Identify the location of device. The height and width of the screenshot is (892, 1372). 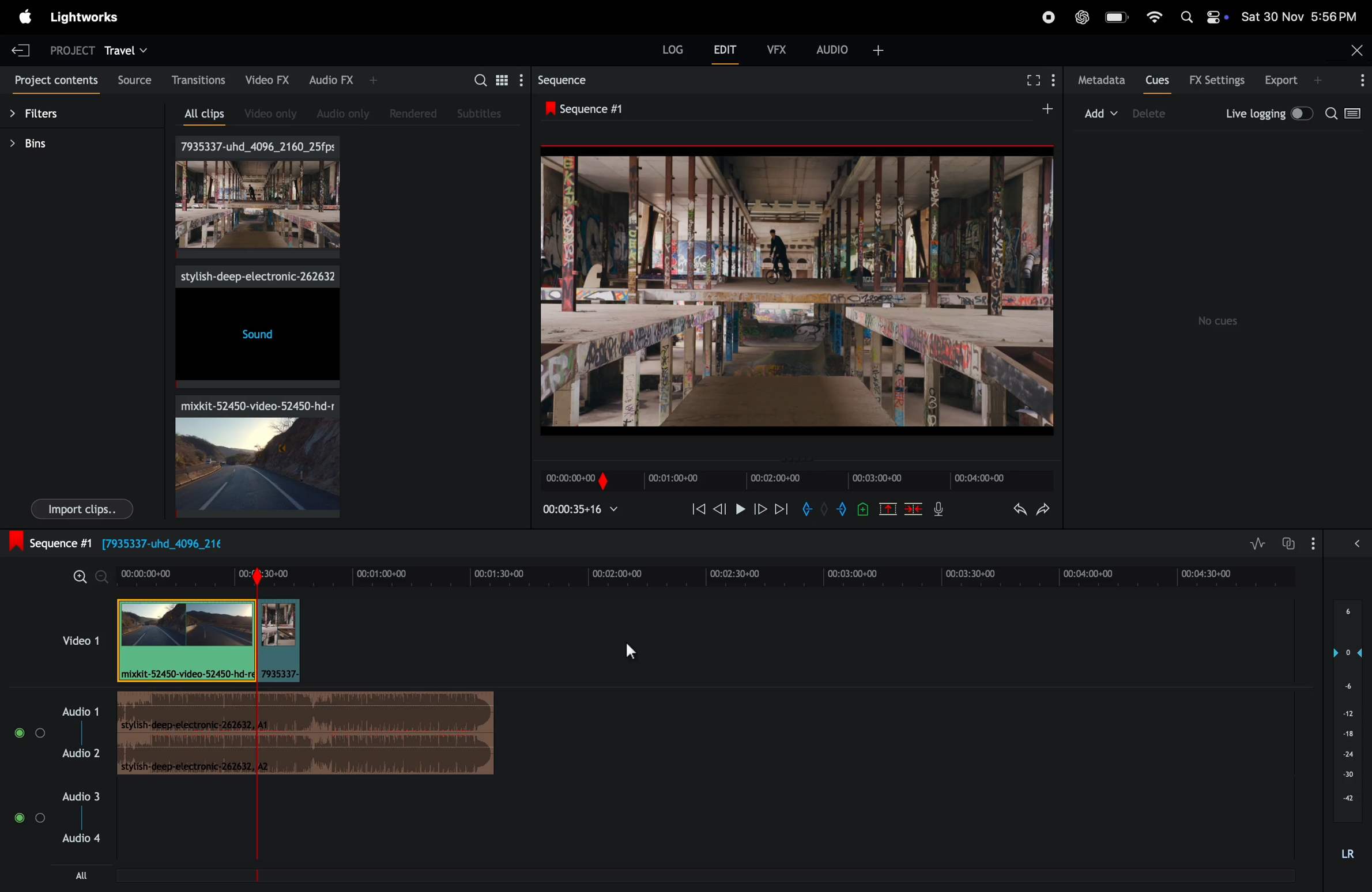
(1159, 115).